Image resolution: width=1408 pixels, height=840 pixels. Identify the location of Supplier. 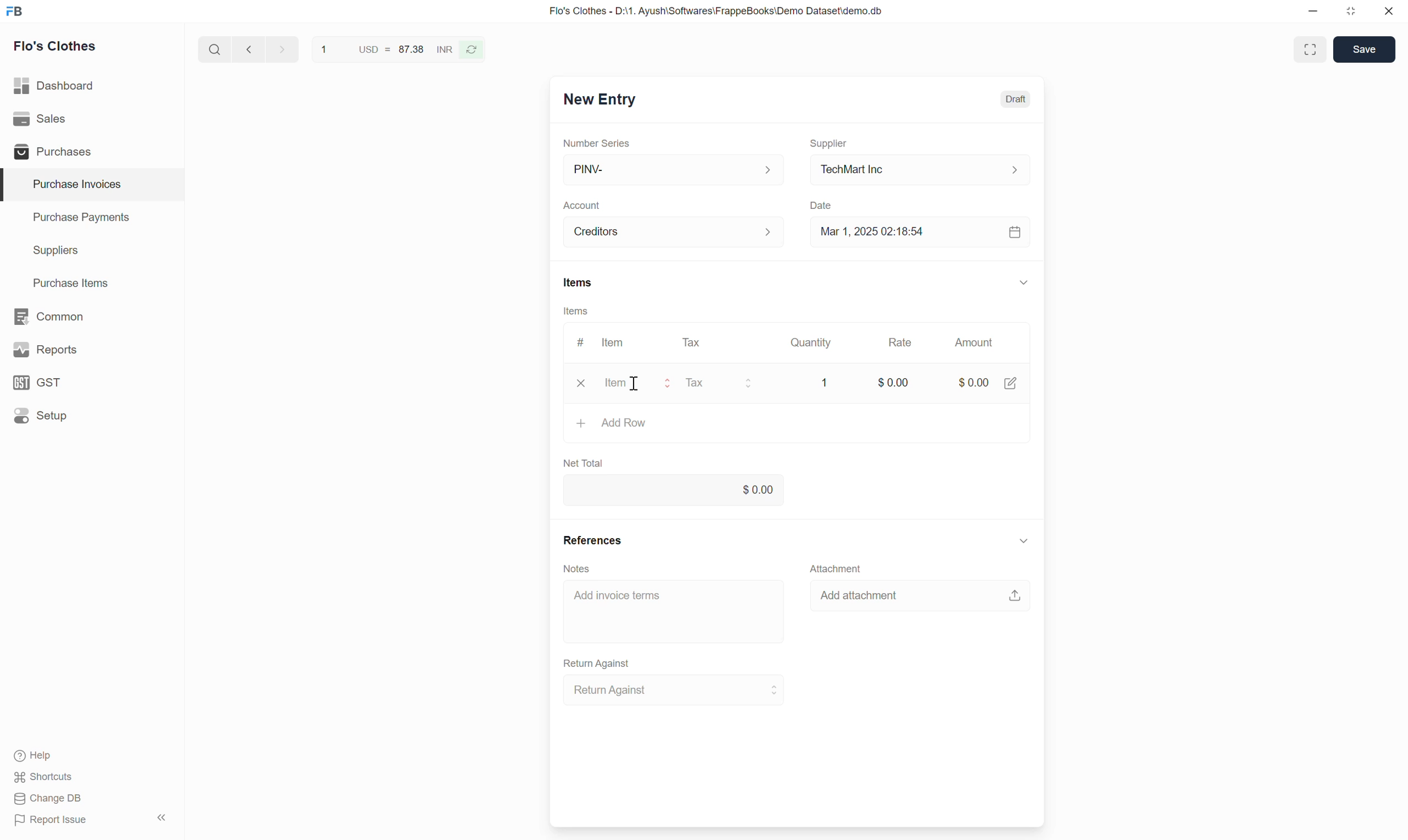
(829, 144).